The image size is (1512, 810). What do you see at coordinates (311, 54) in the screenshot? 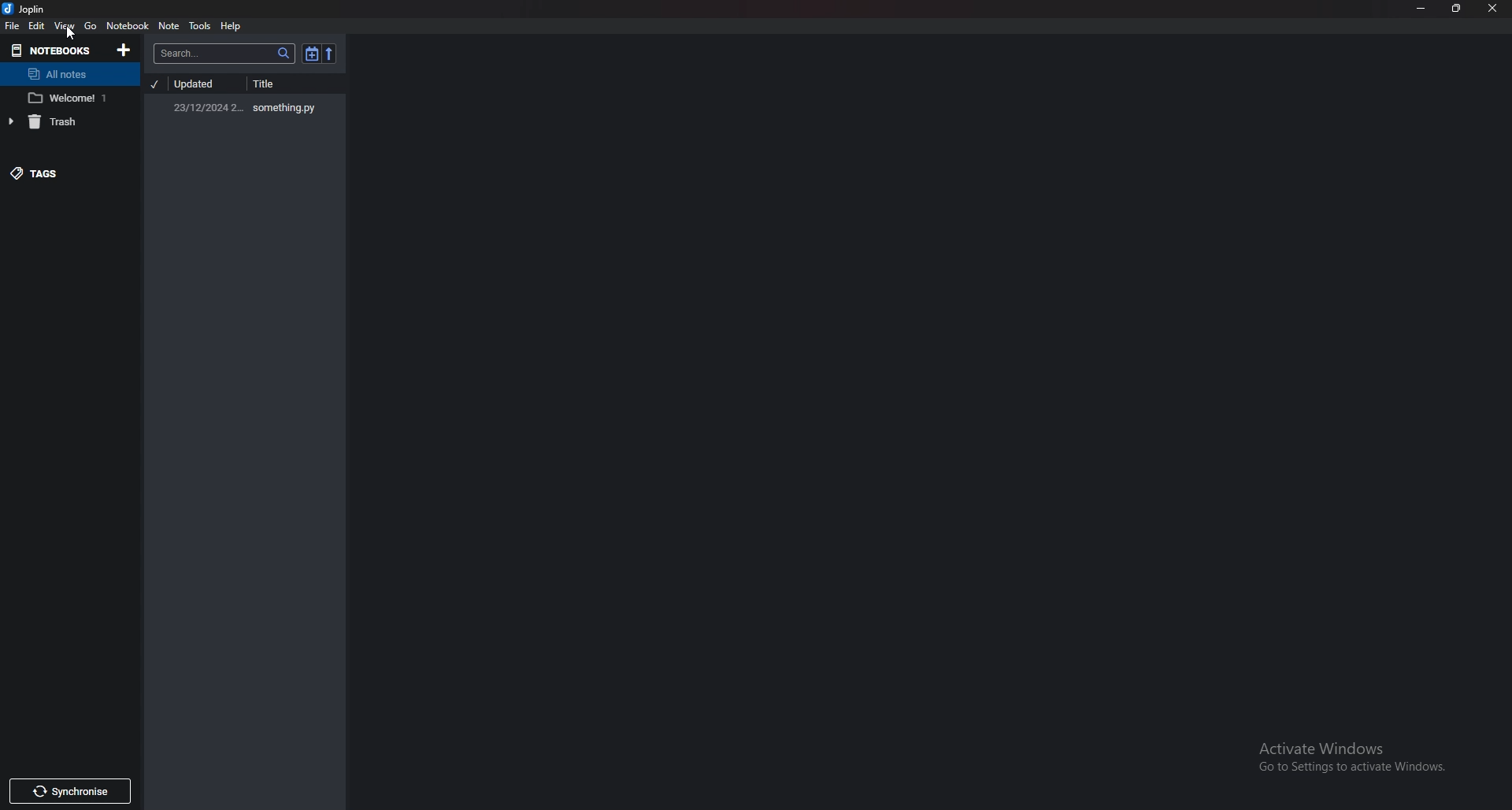
I see `toggle sort order` at bounding box center [311, 54].